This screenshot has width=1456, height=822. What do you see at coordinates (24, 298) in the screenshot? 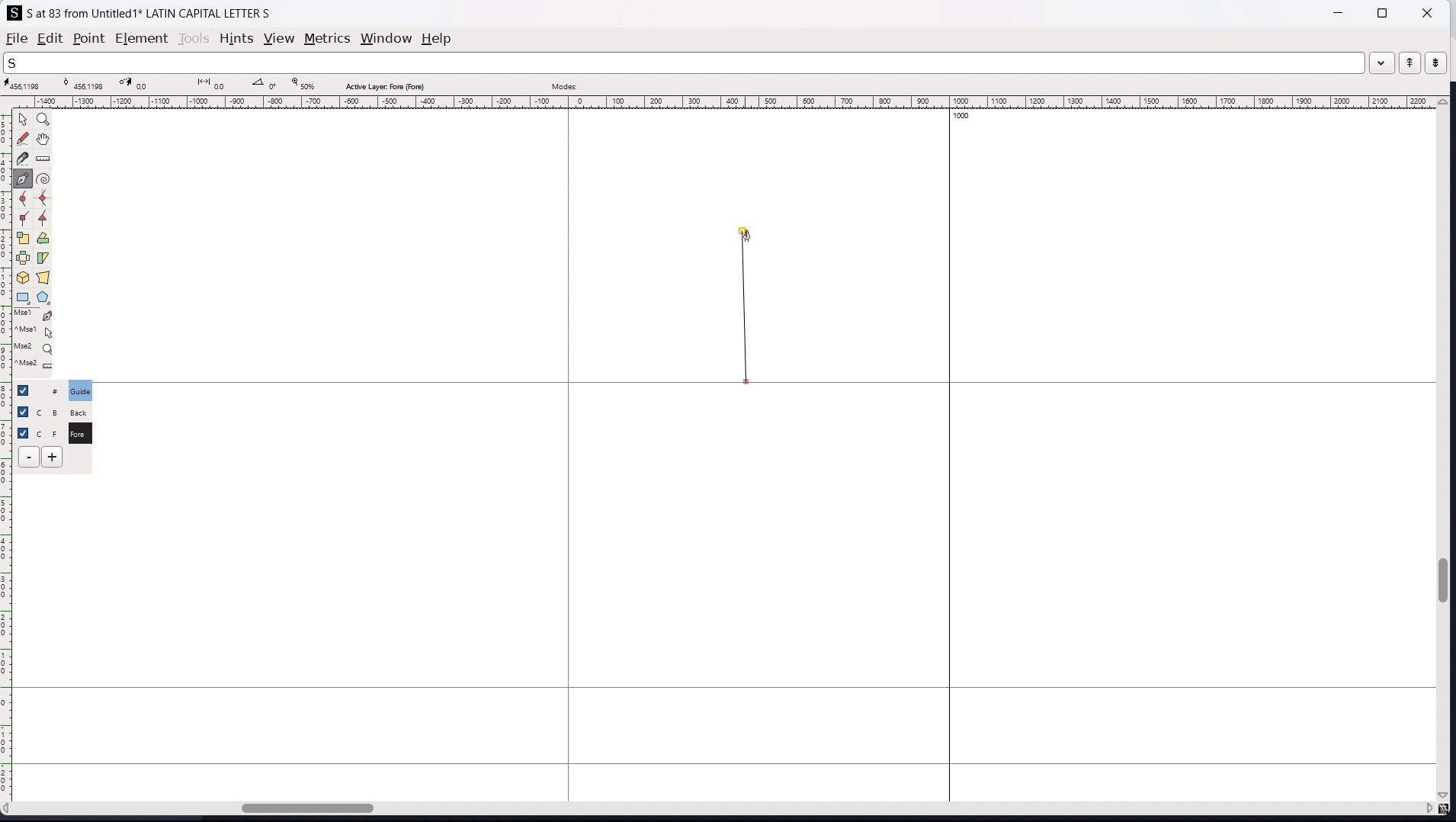
I see `rectangle and ellipse` at bounding box center [24, 298].